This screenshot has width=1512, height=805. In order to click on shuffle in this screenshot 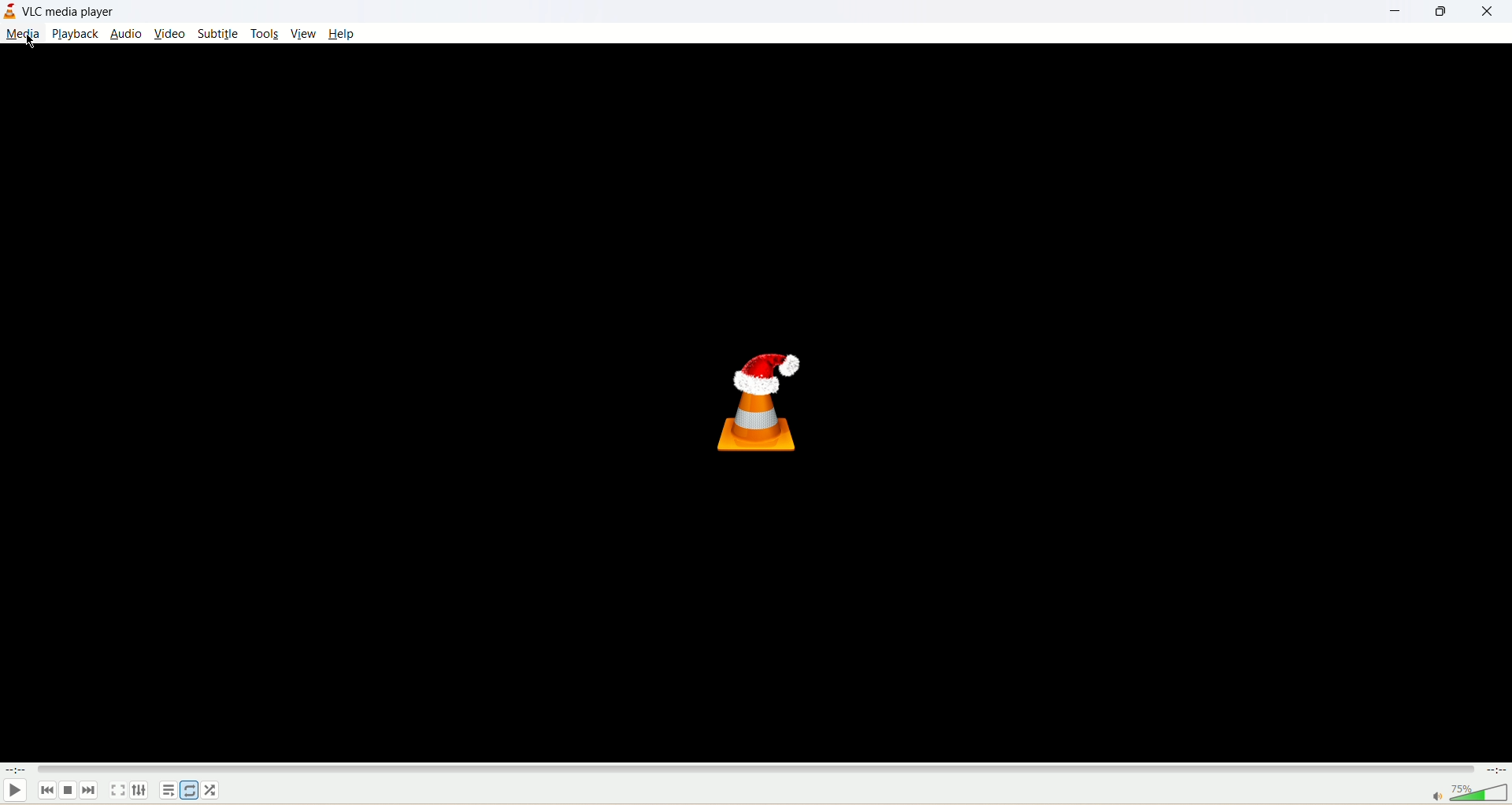, I will do `click(214, 791)`.